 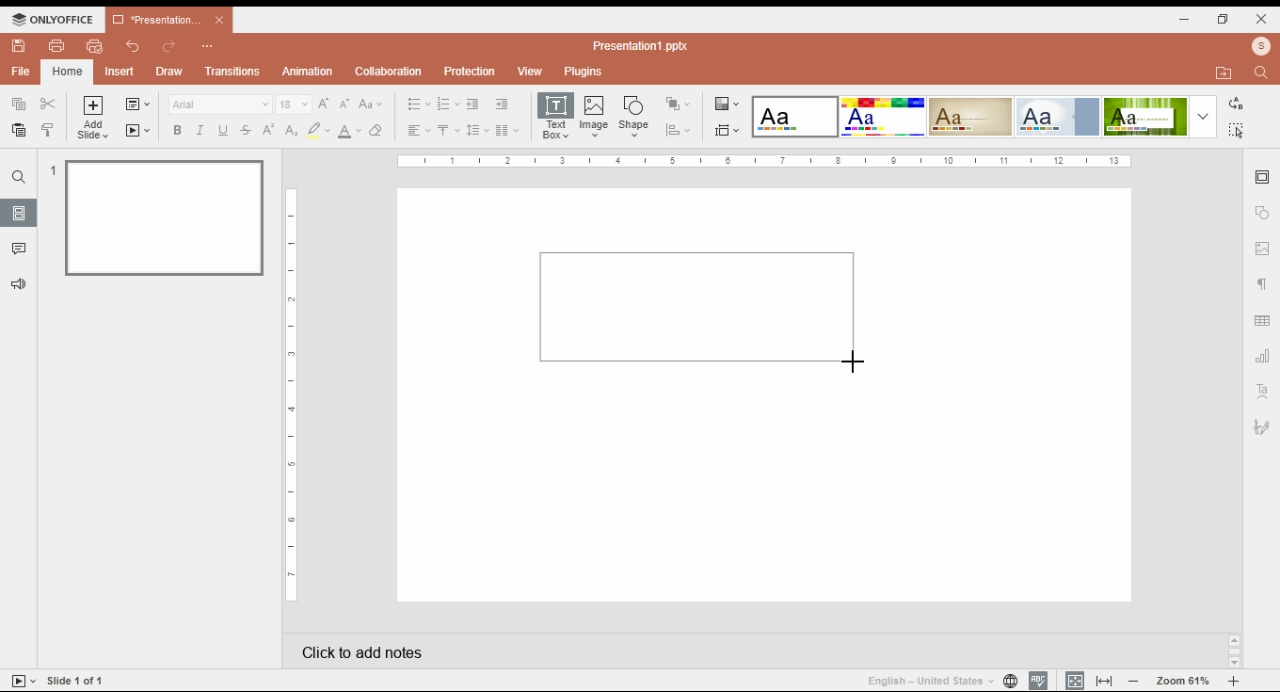 What do you see at coordinates (1263, 178) in the screenshot?
I see `slide settings` at bounding box center [1263, 178].